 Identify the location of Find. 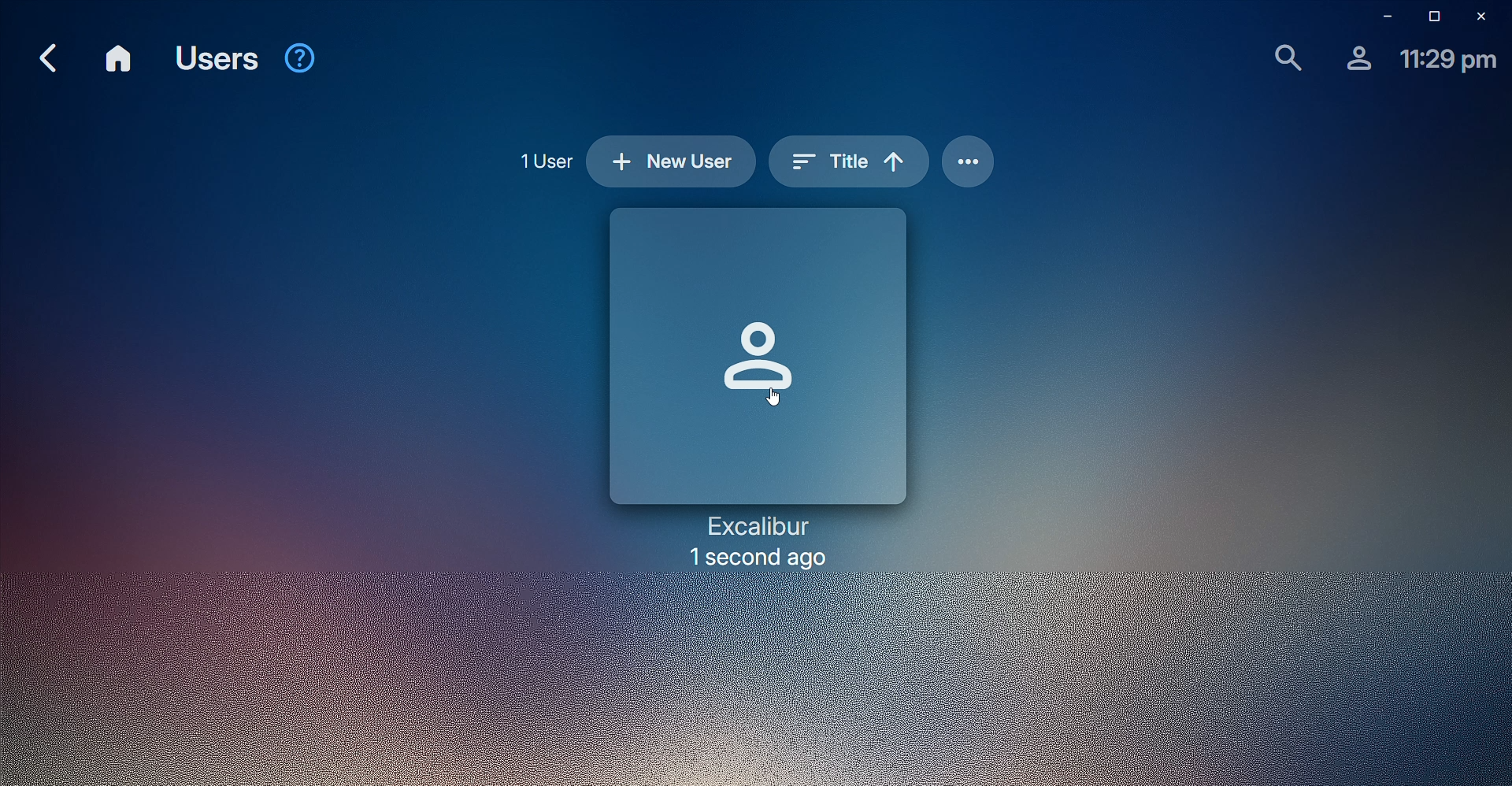
(1280, 58).